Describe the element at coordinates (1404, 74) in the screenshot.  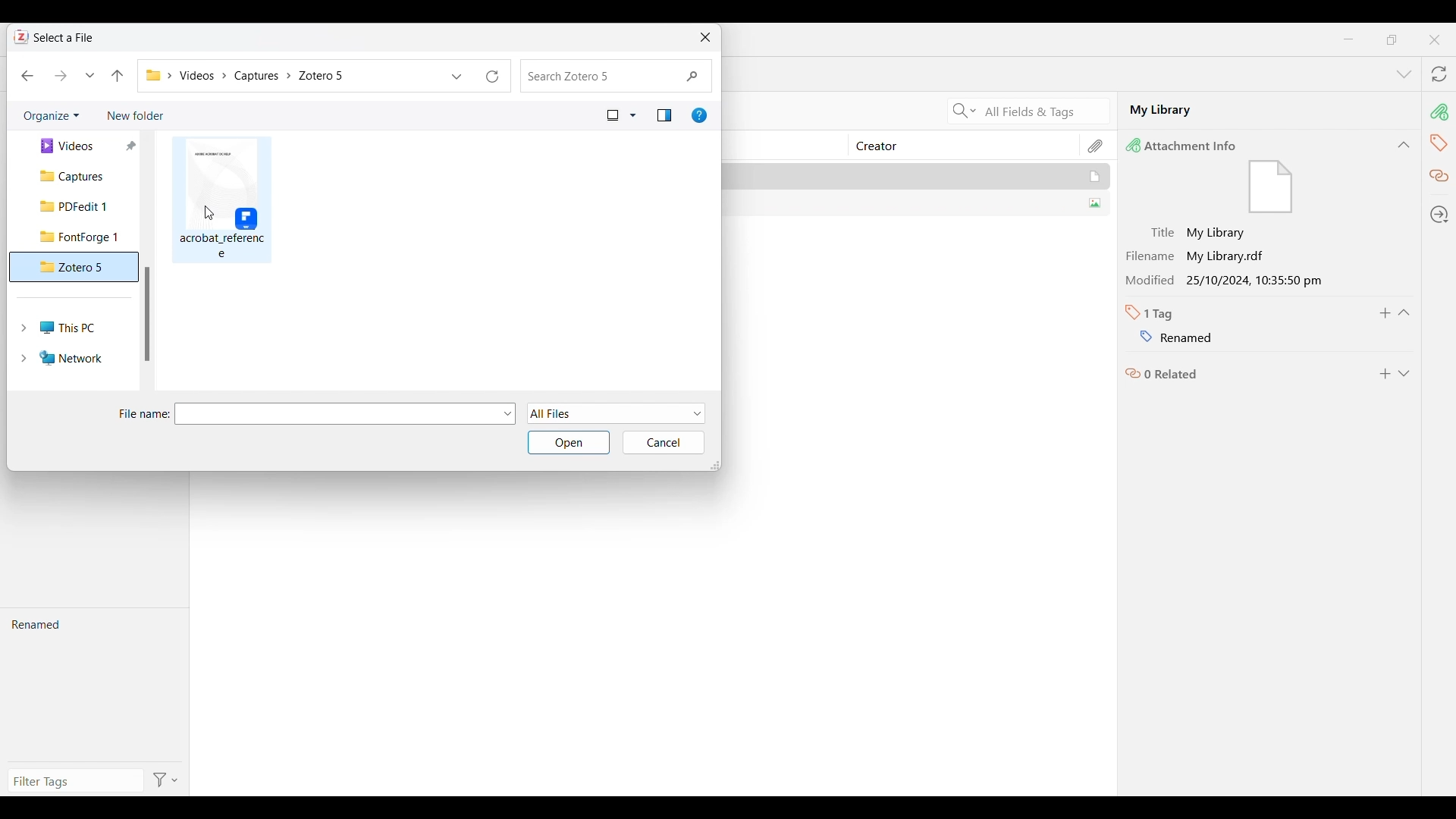
I see `List all tabs` at that location.